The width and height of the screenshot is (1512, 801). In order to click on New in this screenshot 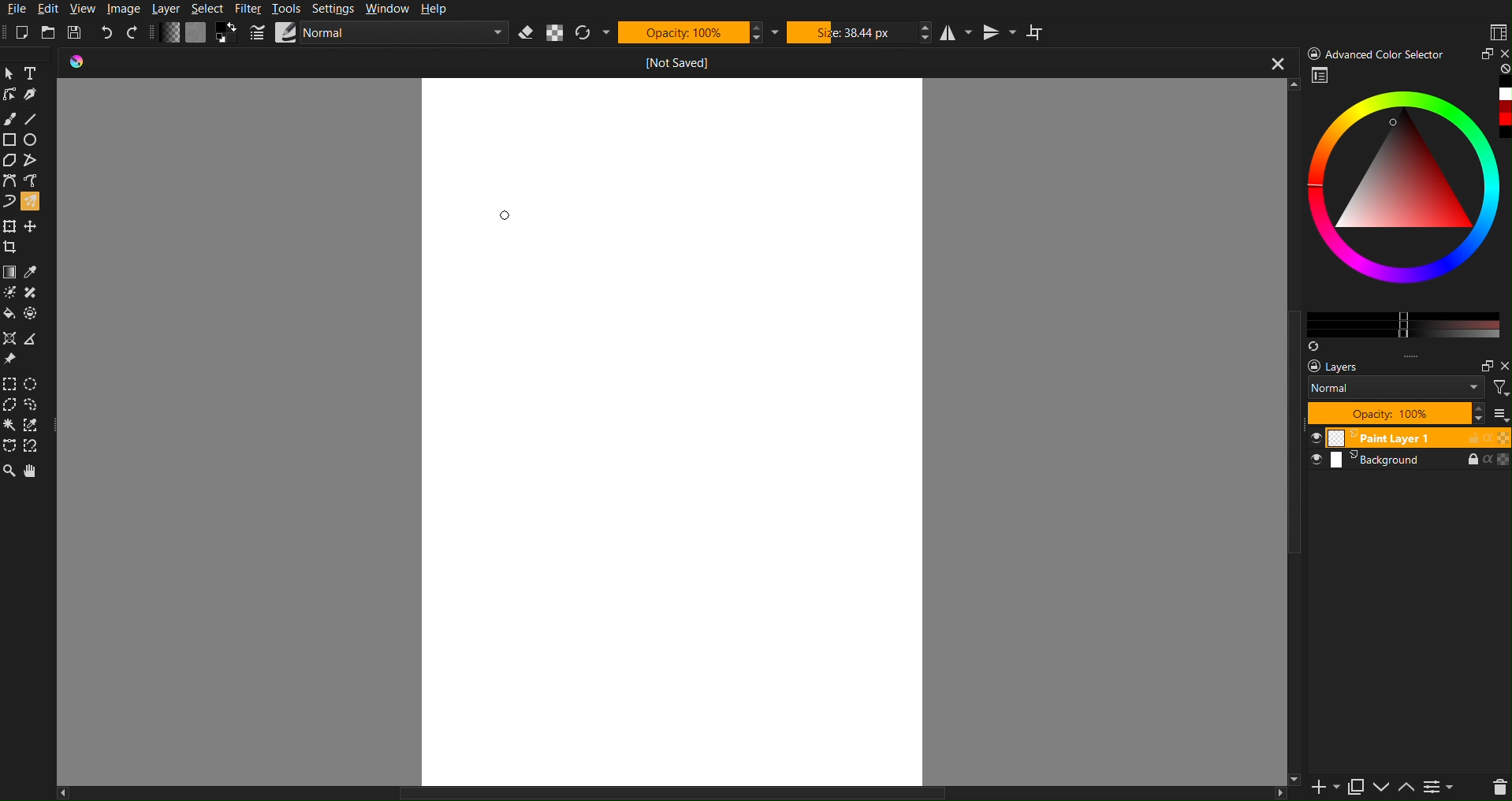, I will do `click(27, 30)`.